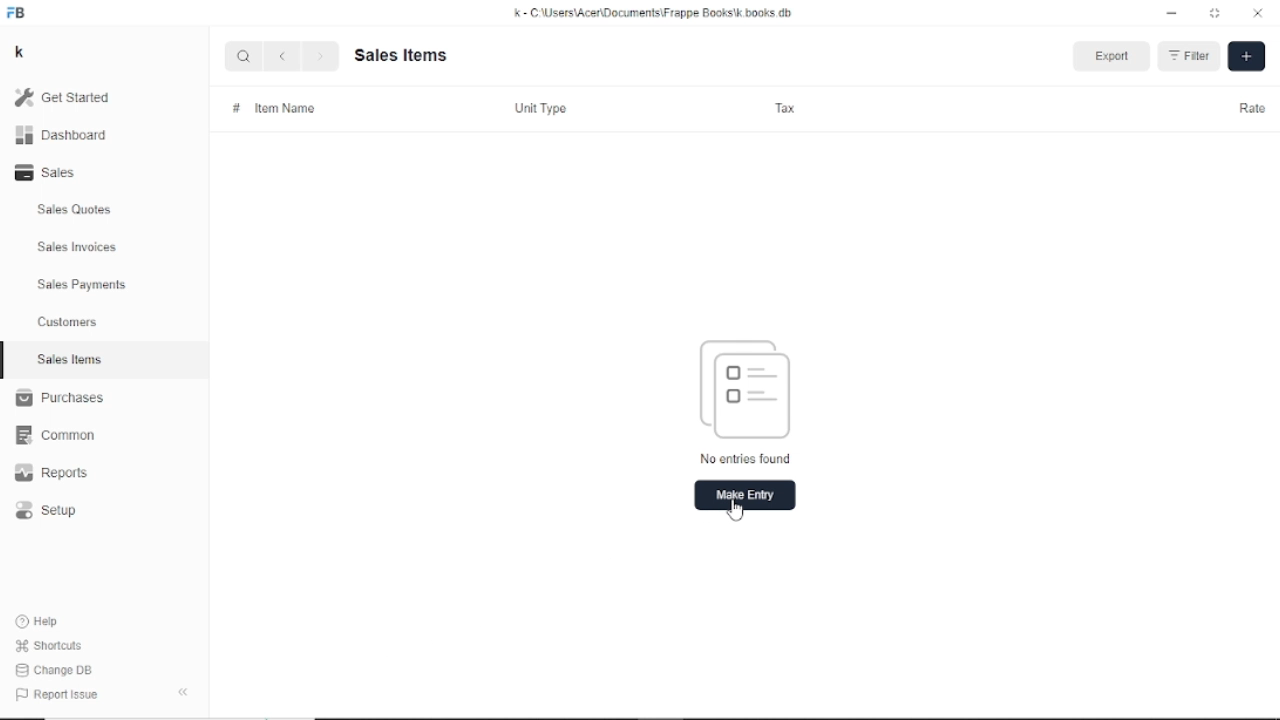  Describe the element at coordinates (319, 57) in the screenshot. I see `Next` at that location.